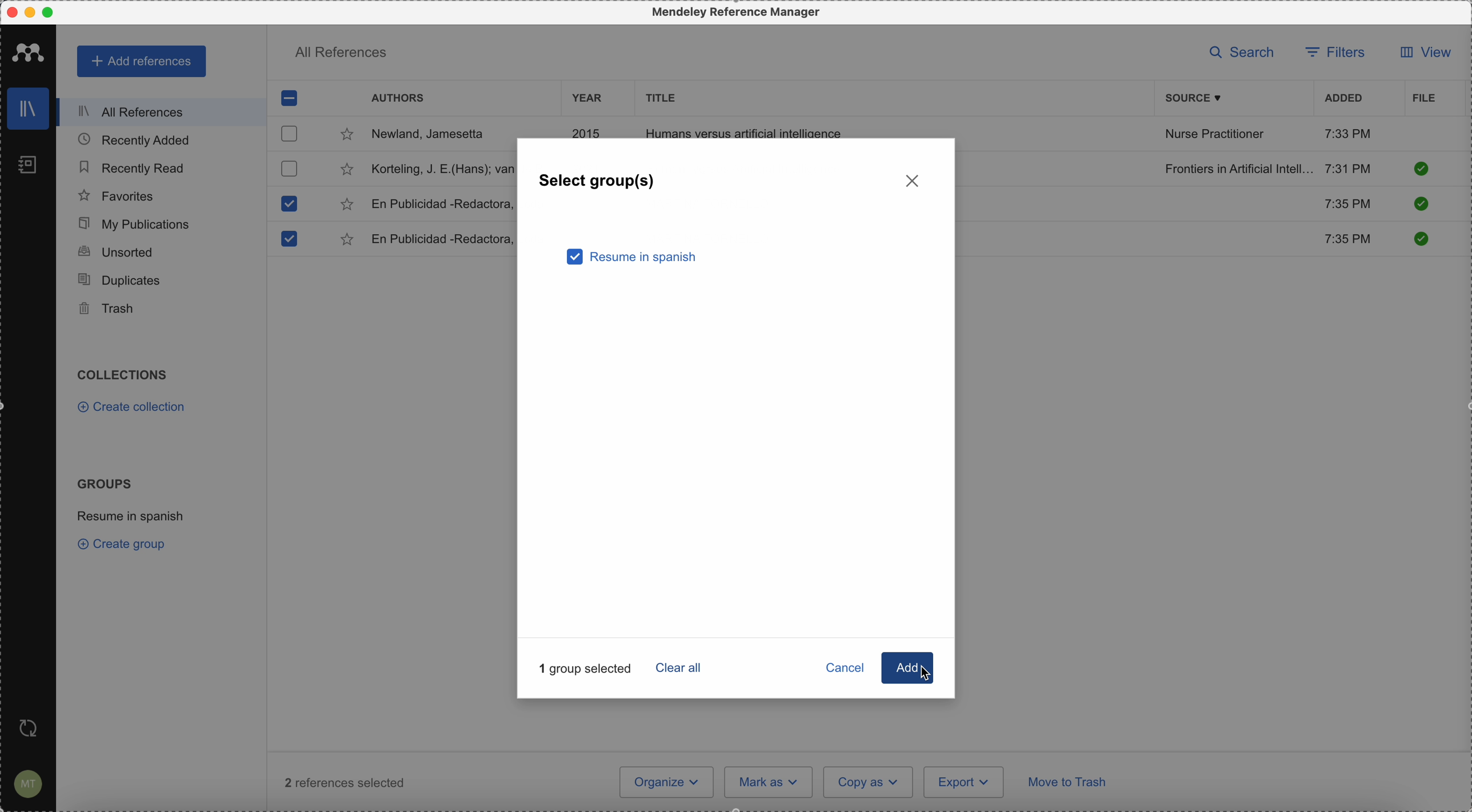 Image resolution: width=1472 pixels, height=812 pixels. I want to click on my publications, so click(135, 224).